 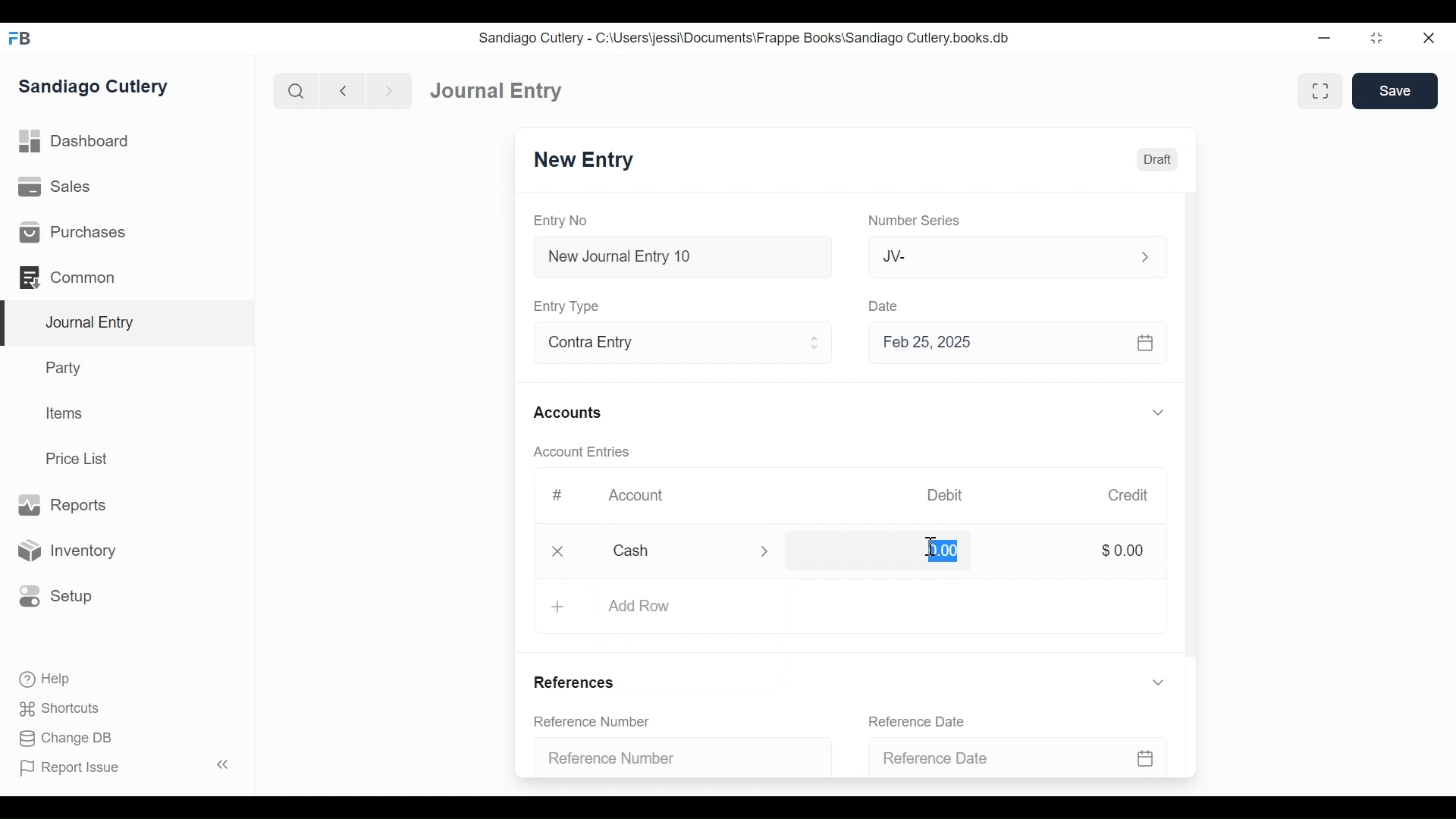 I want to click on Add Row, so click(x=651, y=607).